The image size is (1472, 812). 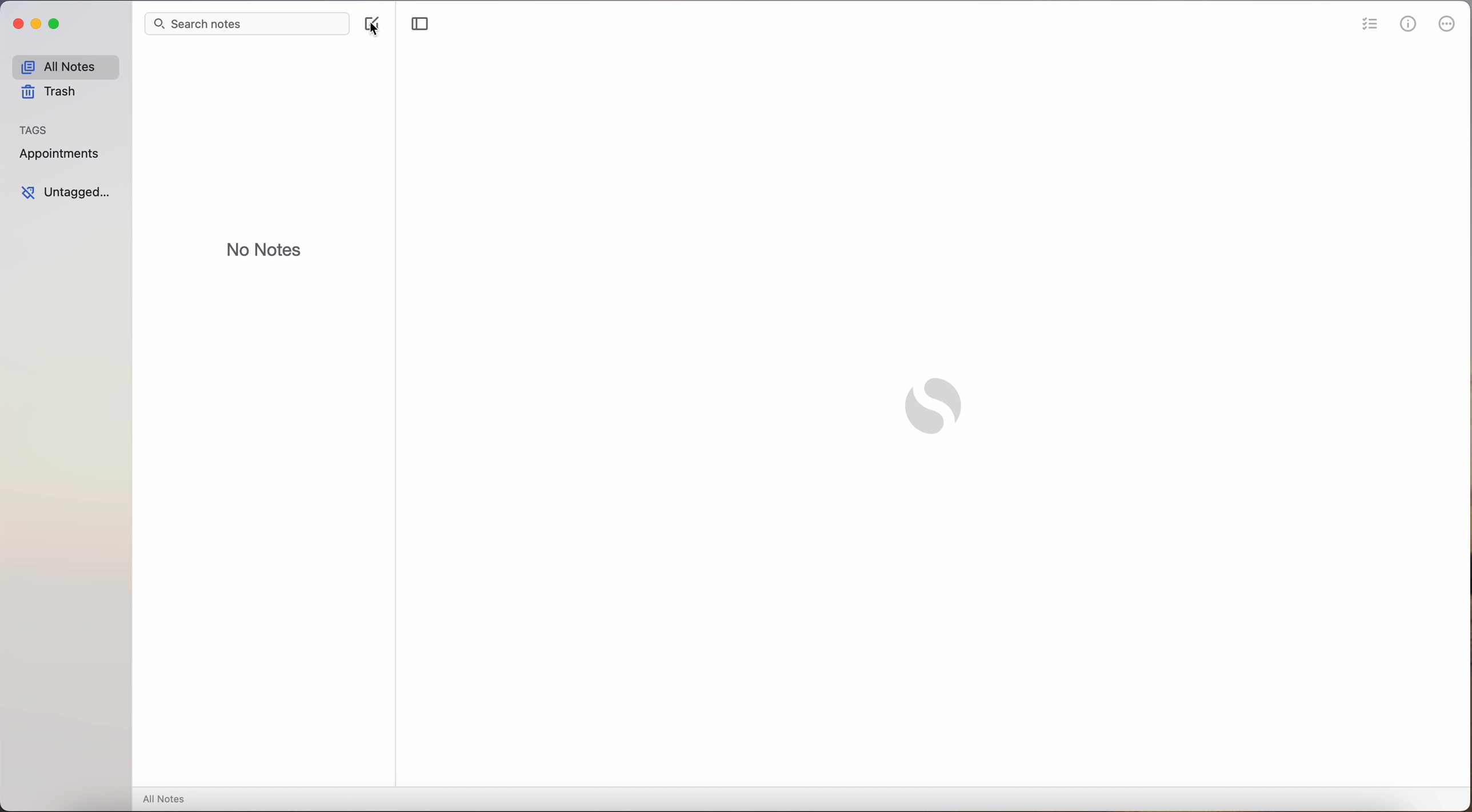 I want to click on close Simplenote, so click(x=17, y=25).